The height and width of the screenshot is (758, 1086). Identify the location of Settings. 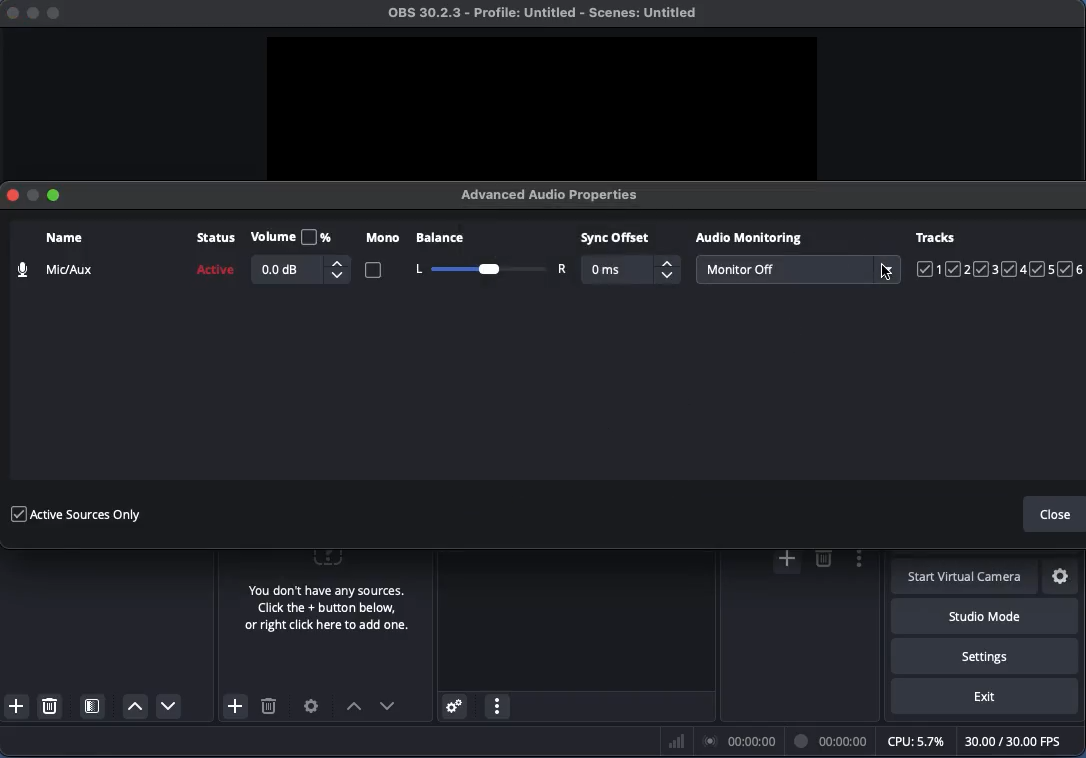
(985, 655).